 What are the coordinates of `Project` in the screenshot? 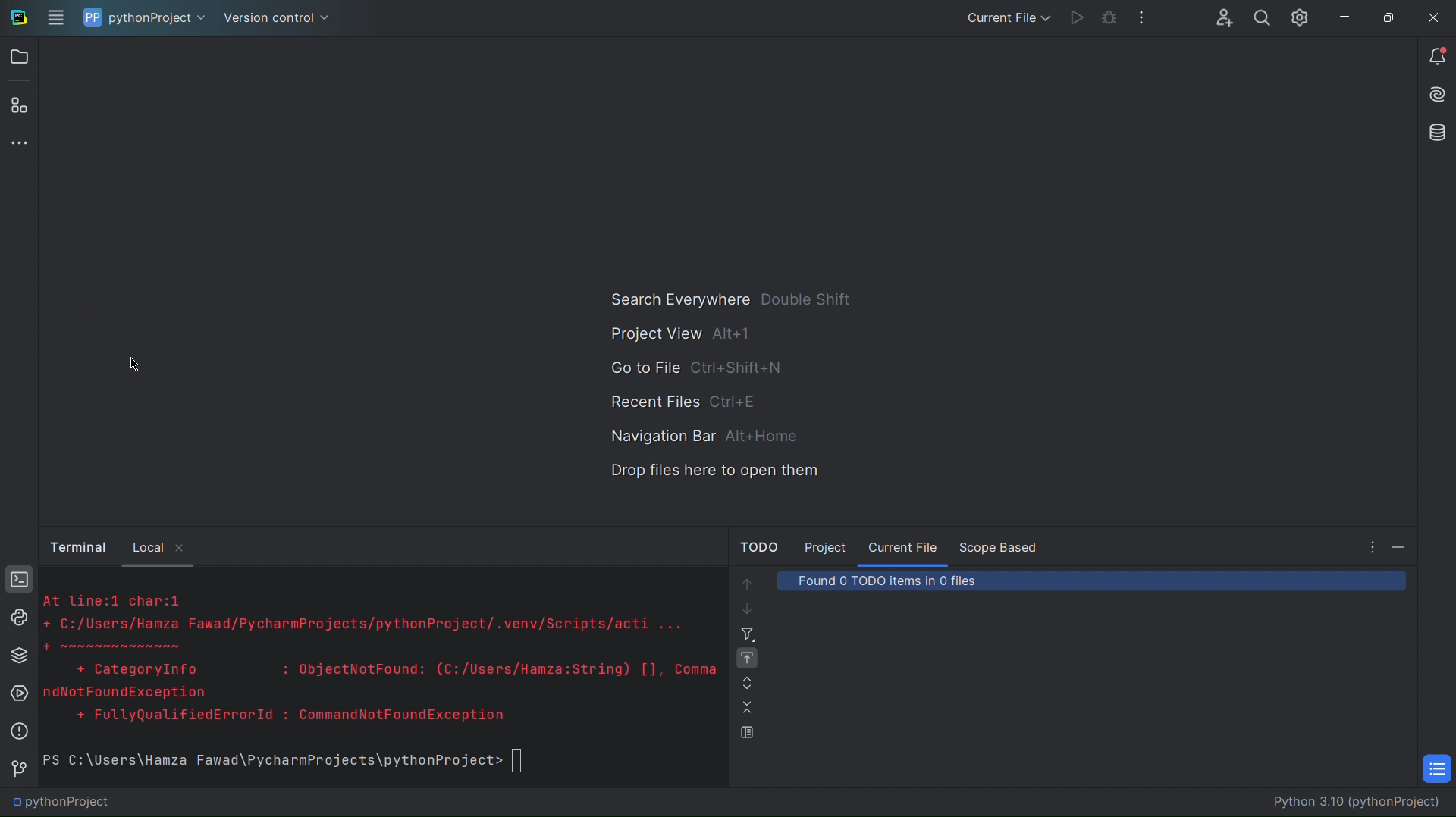 It's located at (827, 543).